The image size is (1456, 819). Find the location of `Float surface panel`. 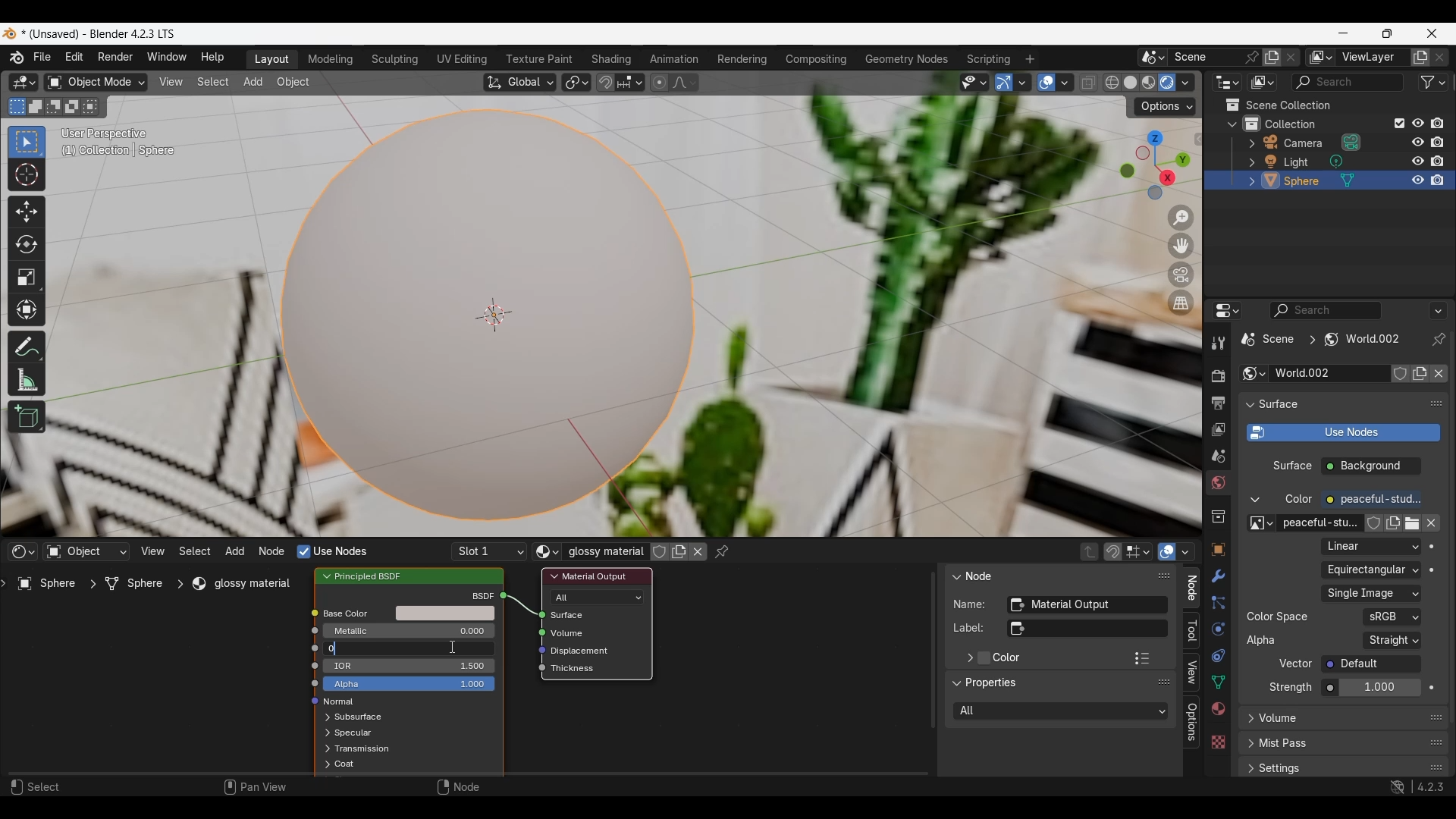

Float surface panel is located at coordinates (1437, 403).